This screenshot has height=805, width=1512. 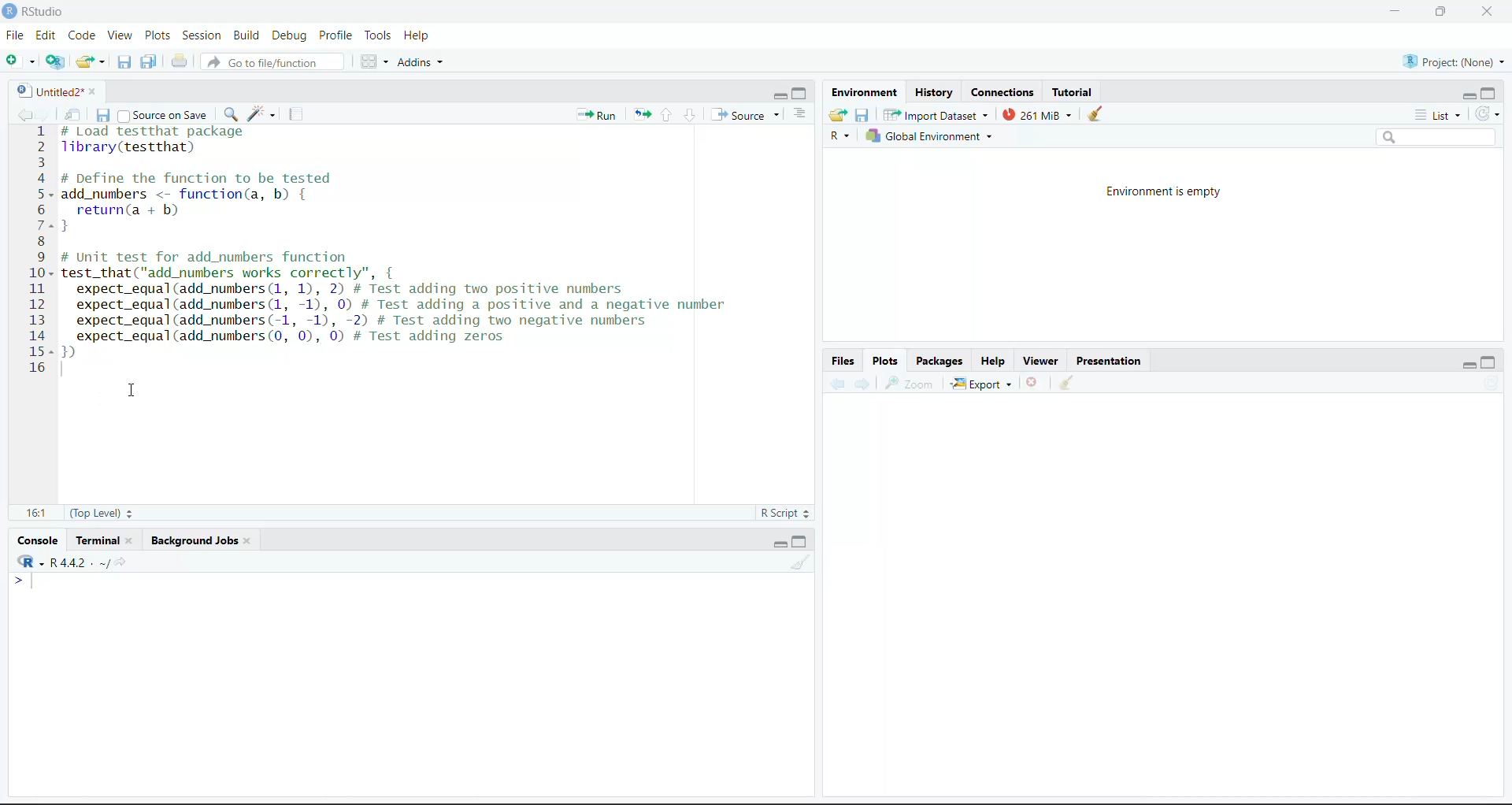 What do you see at coordinates (865, 92) in the screenshot?
I see `Environment` at bounding box center [865, 92].